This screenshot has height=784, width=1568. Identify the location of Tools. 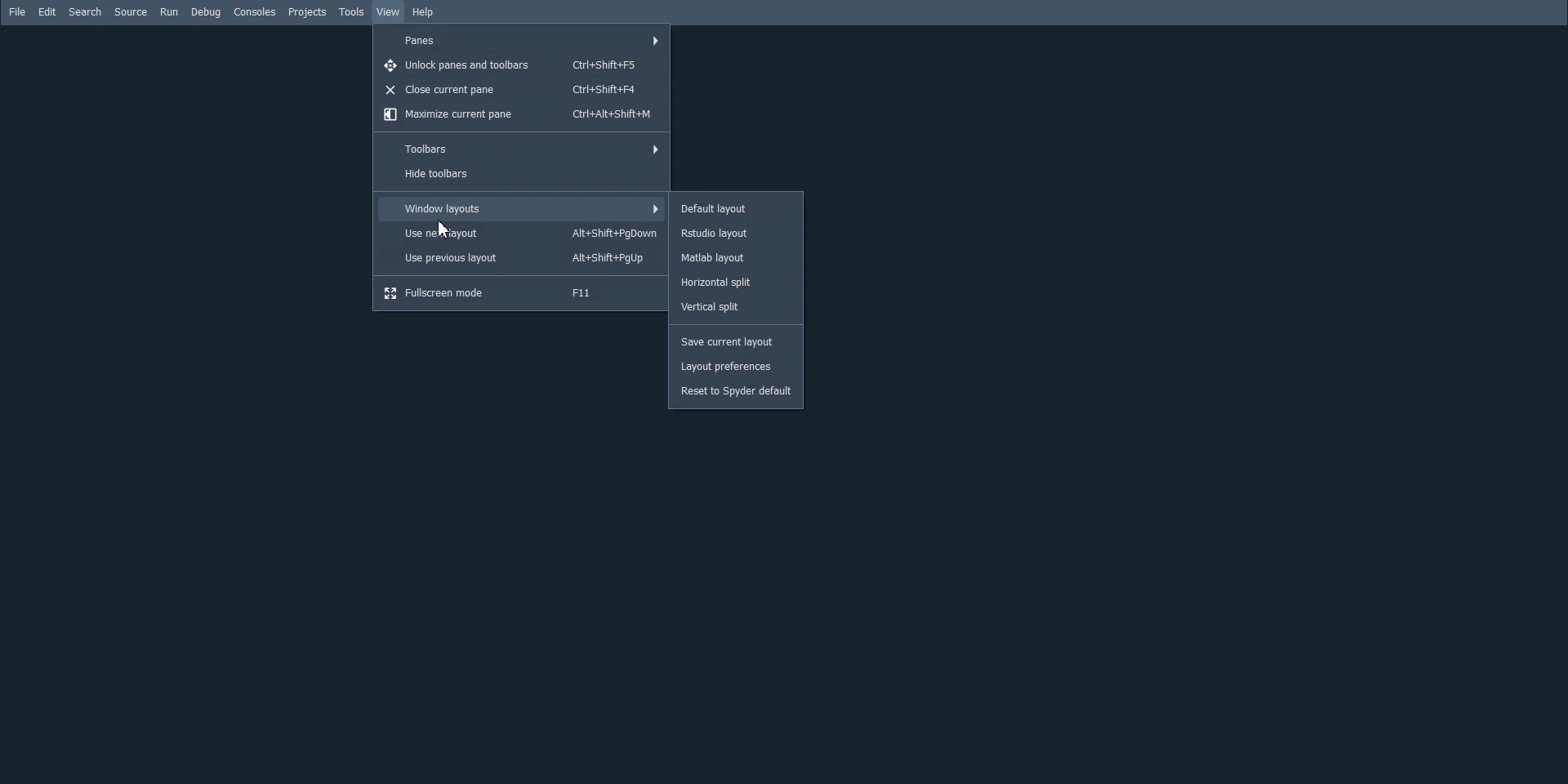
(353, 12).